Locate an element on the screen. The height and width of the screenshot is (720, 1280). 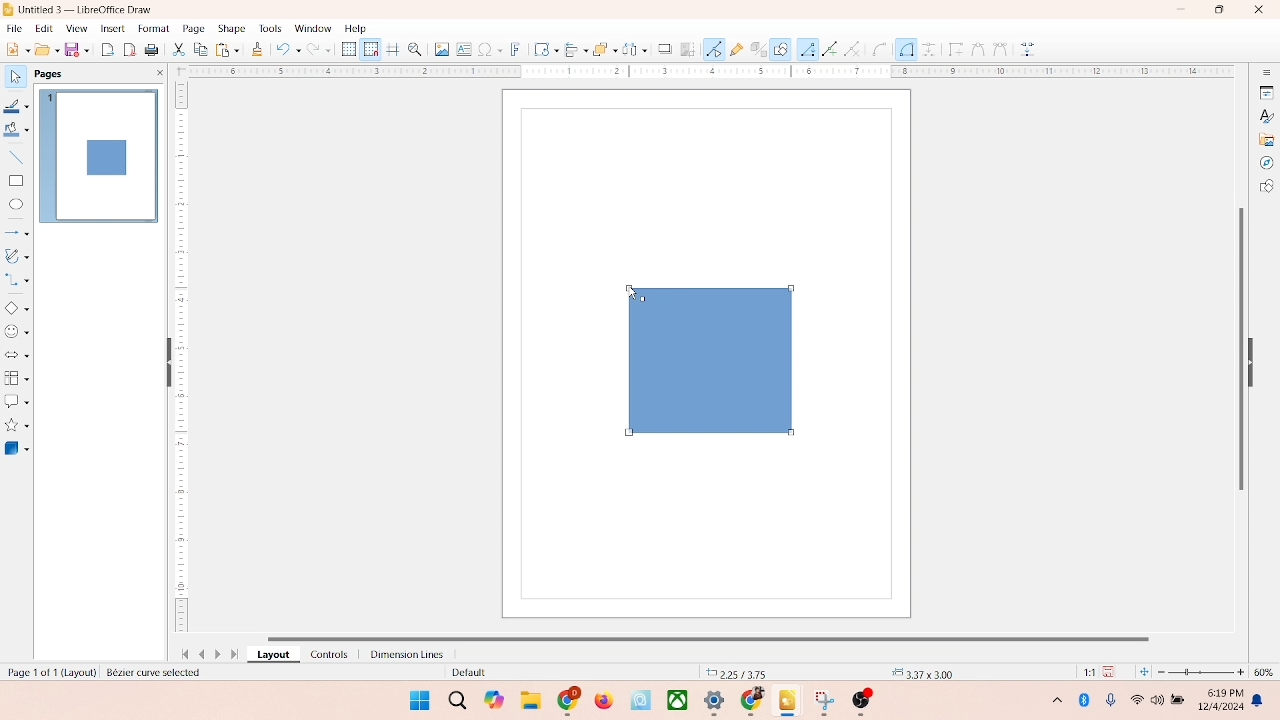
copilot is located at coordinates (496, 700).